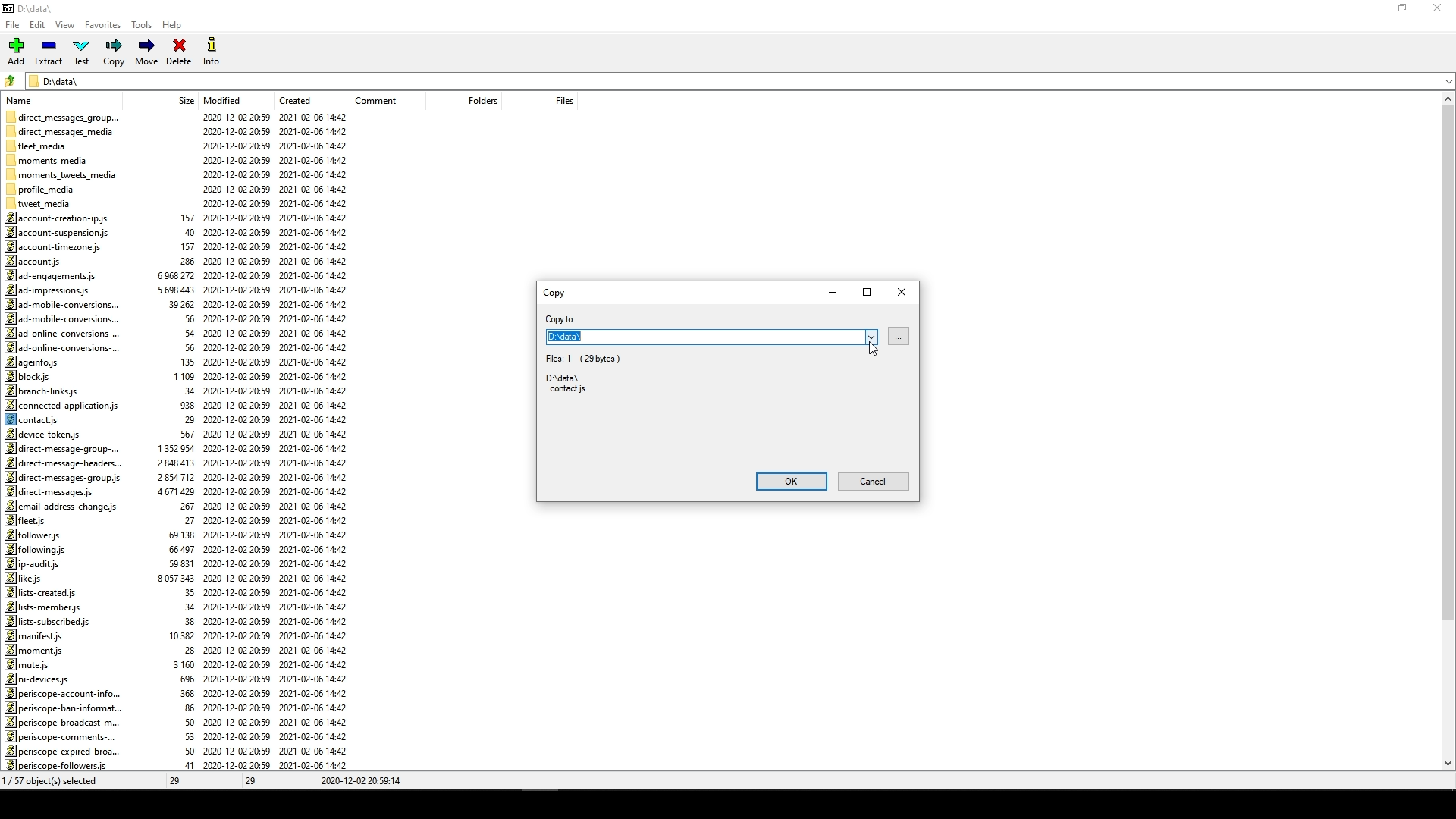  What do you see at coordinates (53, 290) in the screenshot?
I see `ad-impressions.js` at bounding box center [53, 290].